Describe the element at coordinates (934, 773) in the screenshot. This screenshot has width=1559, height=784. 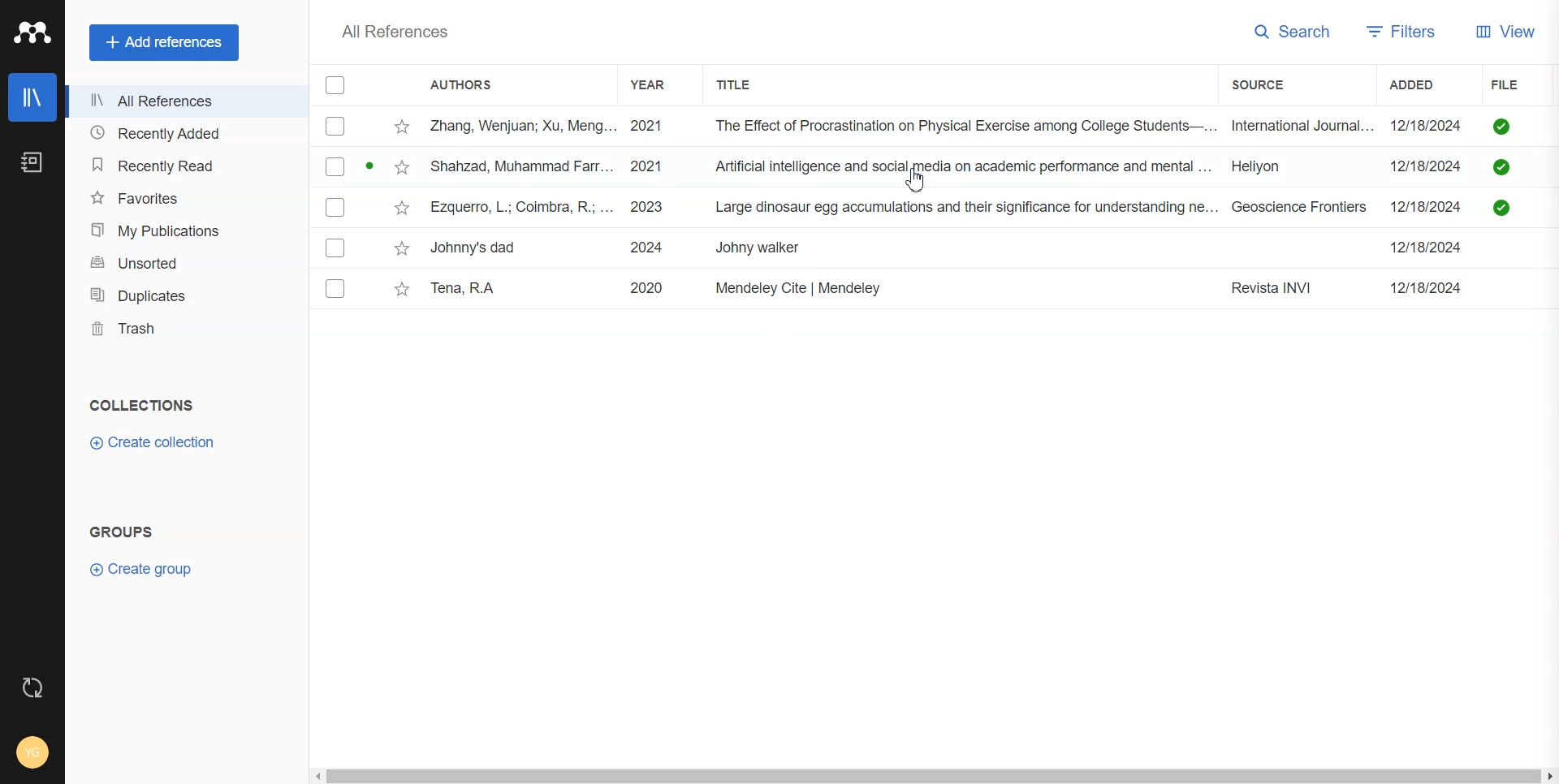
I see `Horizontal scroll bar` at that location.